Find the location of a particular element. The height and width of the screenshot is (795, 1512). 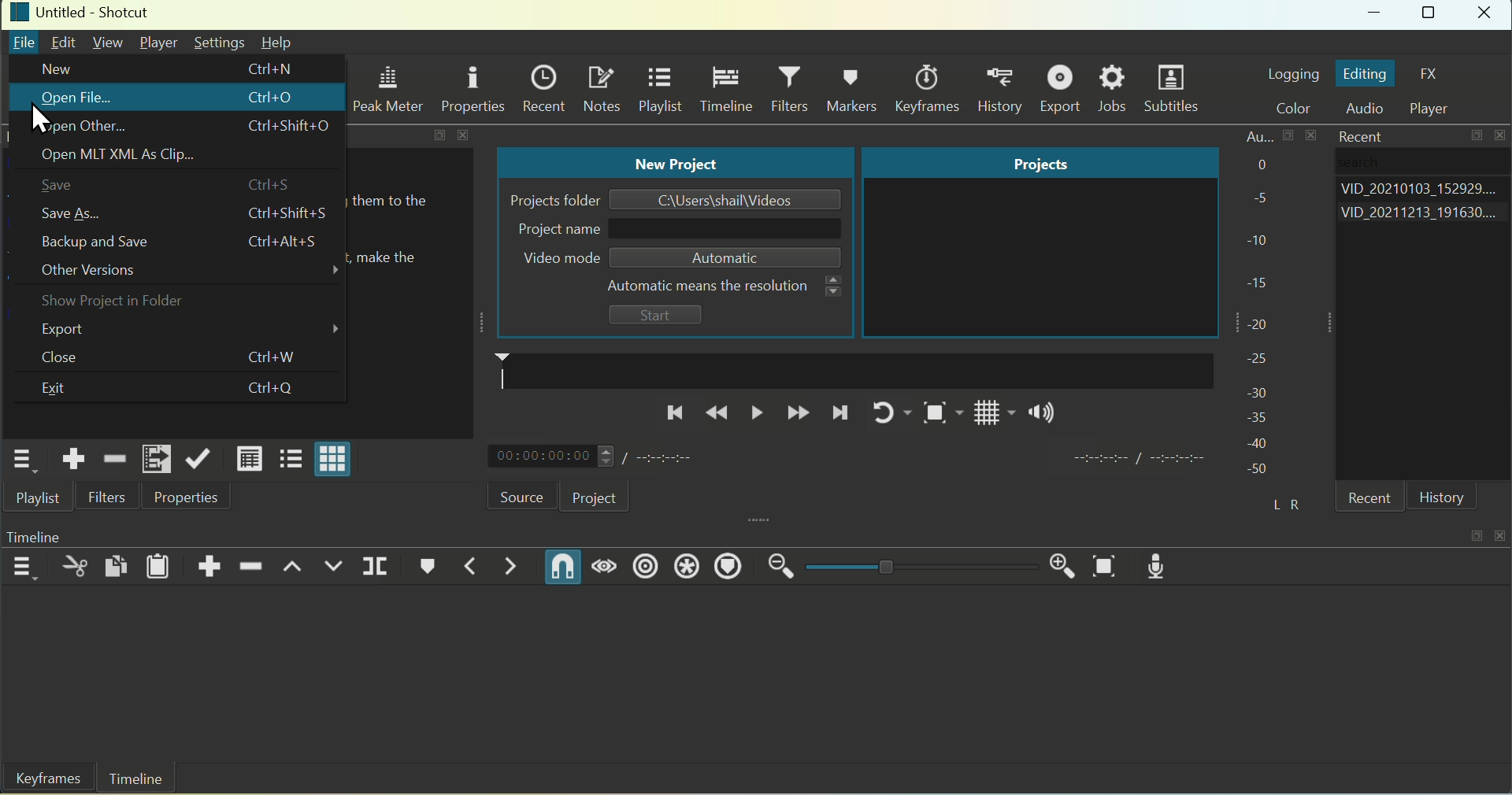

Snap is located at coordinates (561, 566).